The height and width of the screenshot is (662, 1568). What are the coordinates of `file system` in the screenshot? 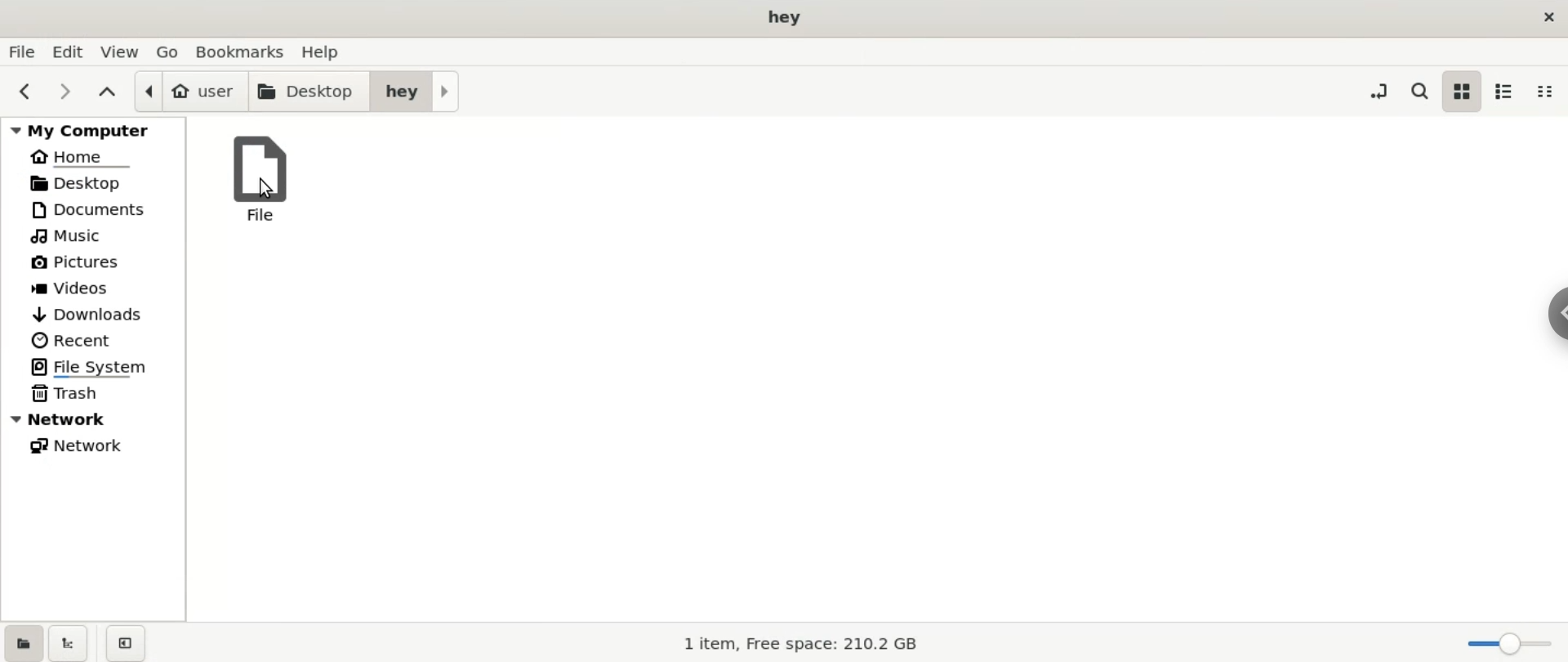 It's located at (93, 368).